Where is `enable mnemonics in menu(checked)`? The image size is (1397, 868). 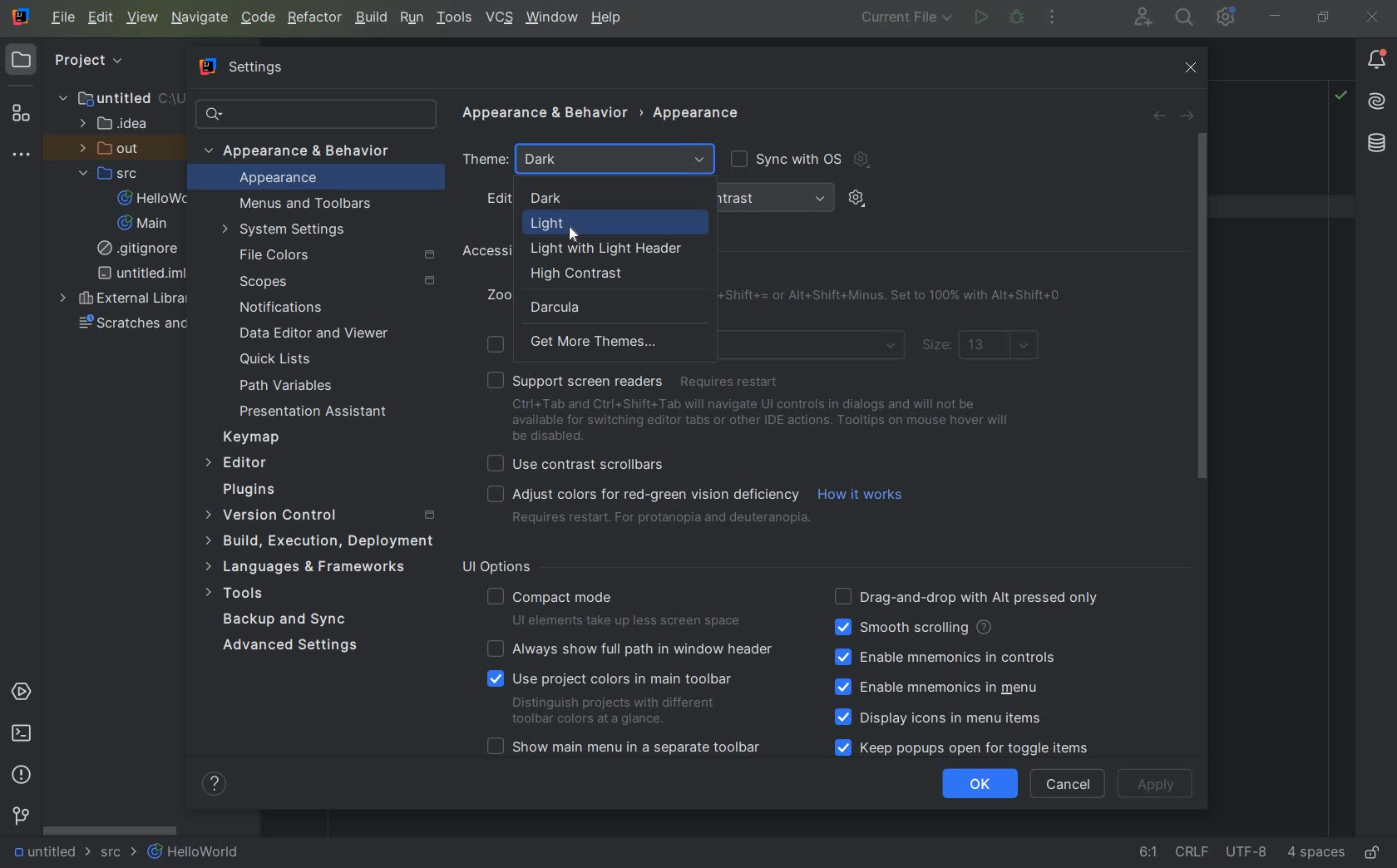
enable mnemonics in menu(checked) is located at coordinates (945, 687).